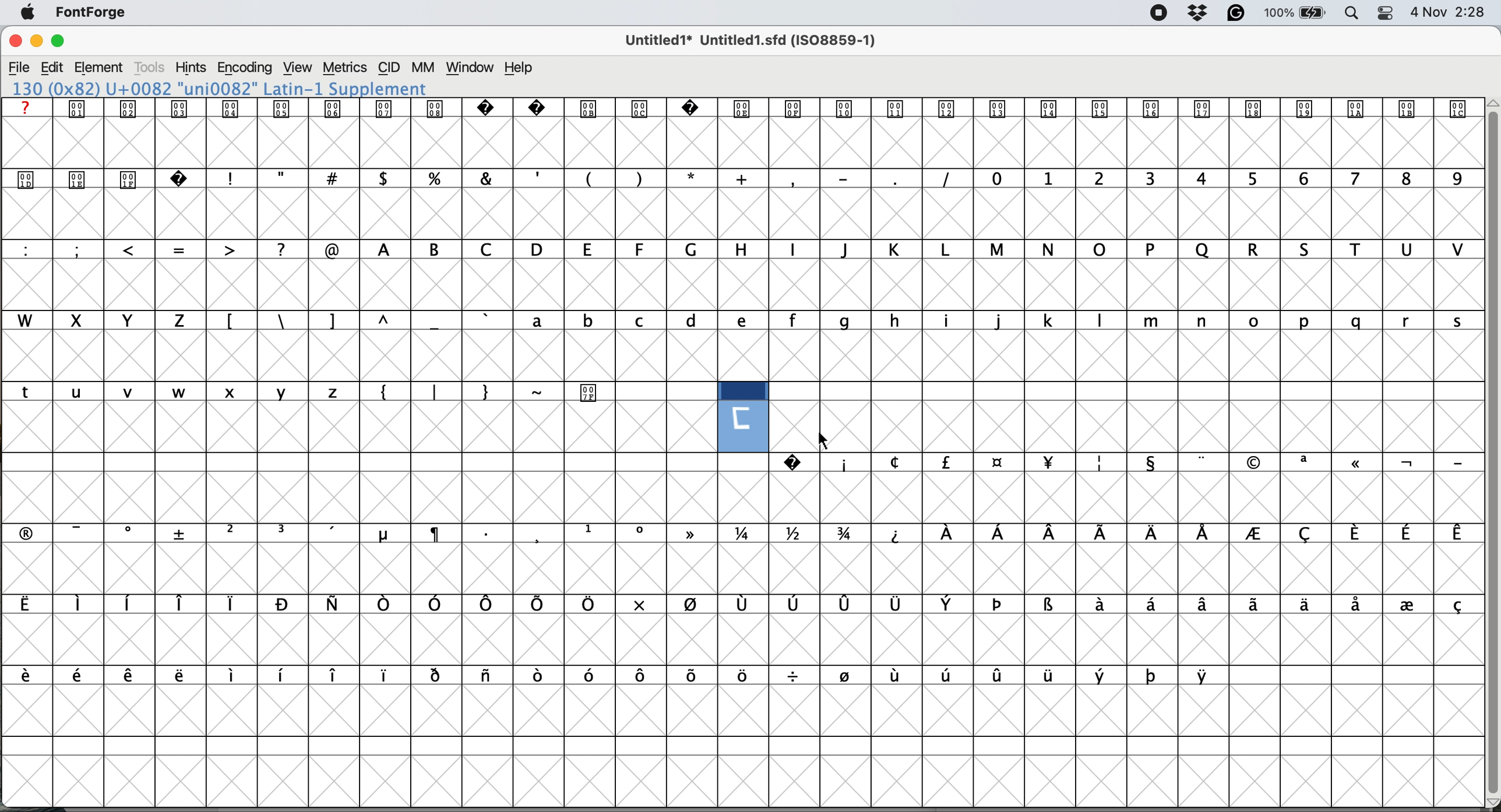  I want to click on minimise, so click(36, 41).